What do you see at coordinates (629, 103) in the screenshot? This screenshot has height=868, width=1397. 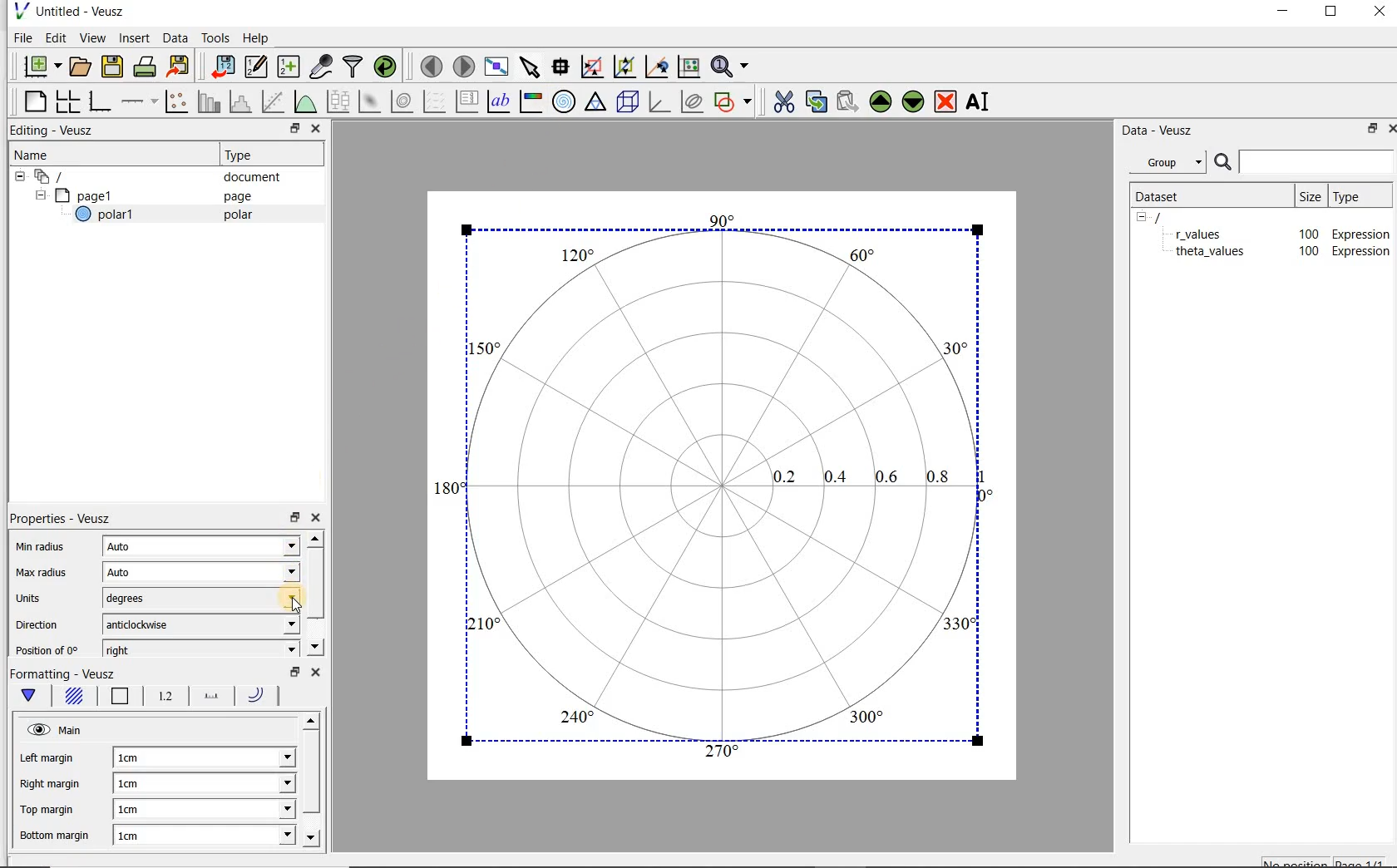 I see `3d scene` at bounding box center [629, 103].